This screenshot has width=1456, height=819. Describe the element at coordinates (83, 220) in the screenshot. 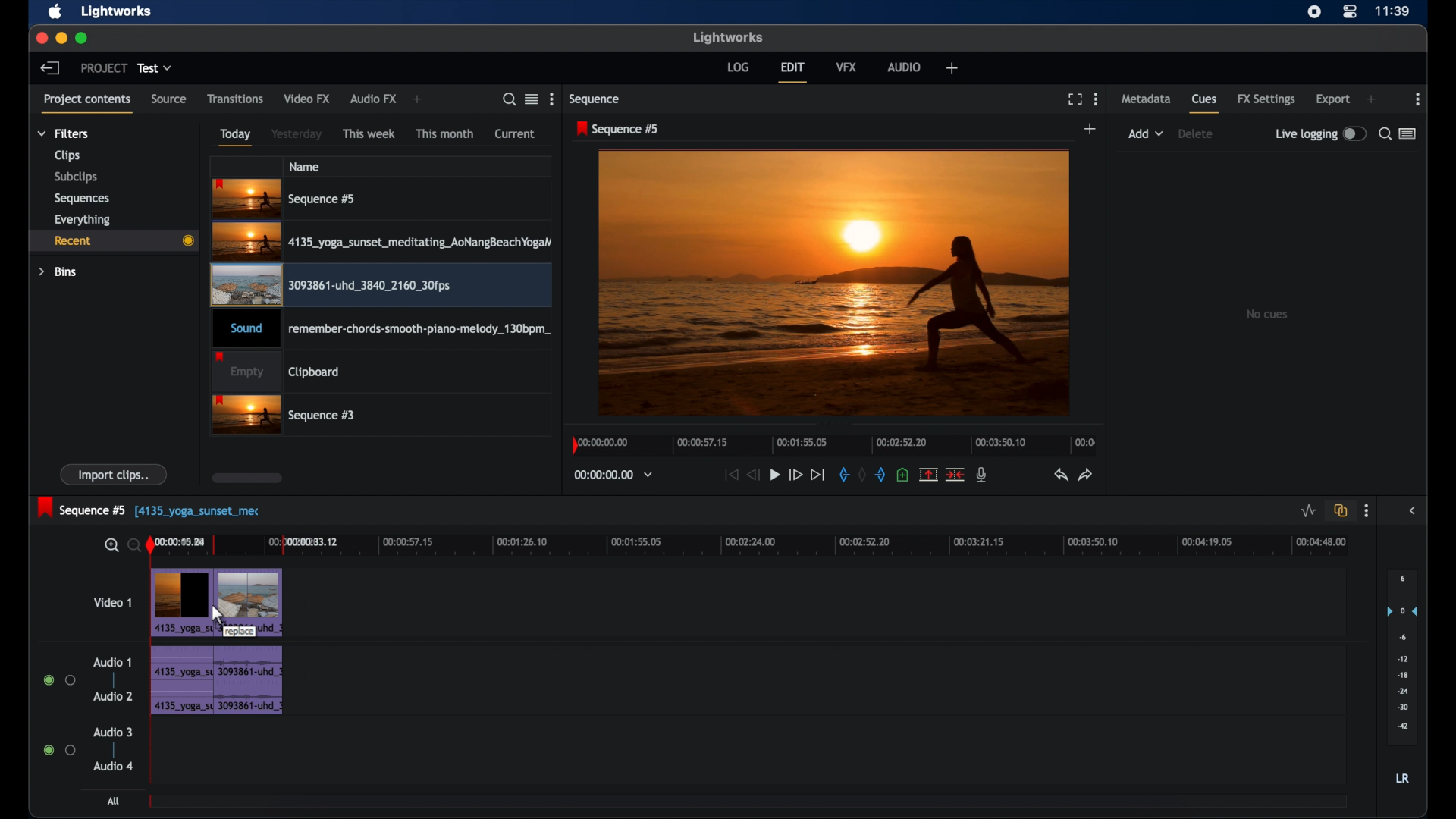

I see `everything` at that location.